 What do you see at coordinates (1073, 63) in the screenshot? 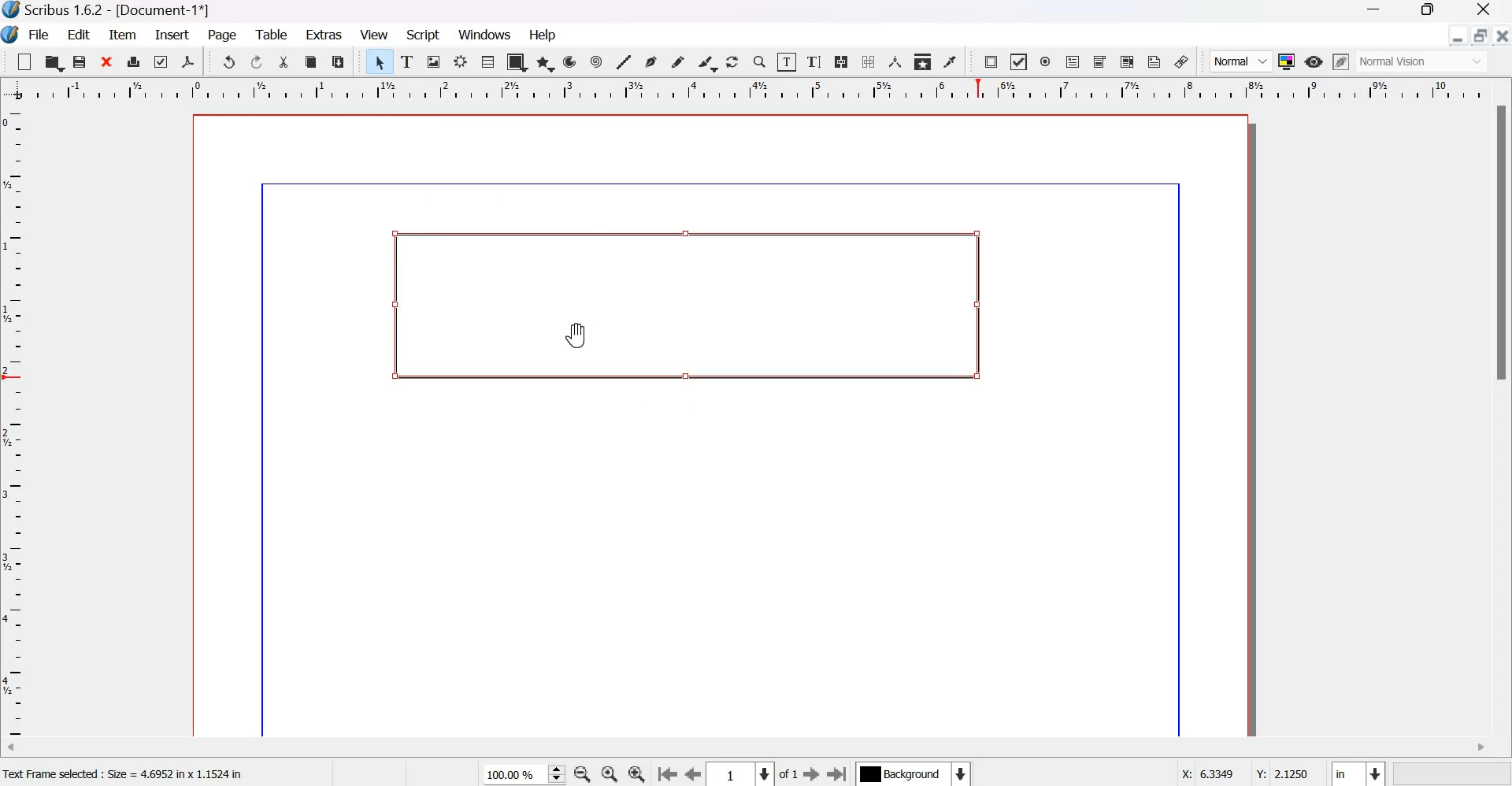
I see `PDF text field` at bounding box center [1073, 63].